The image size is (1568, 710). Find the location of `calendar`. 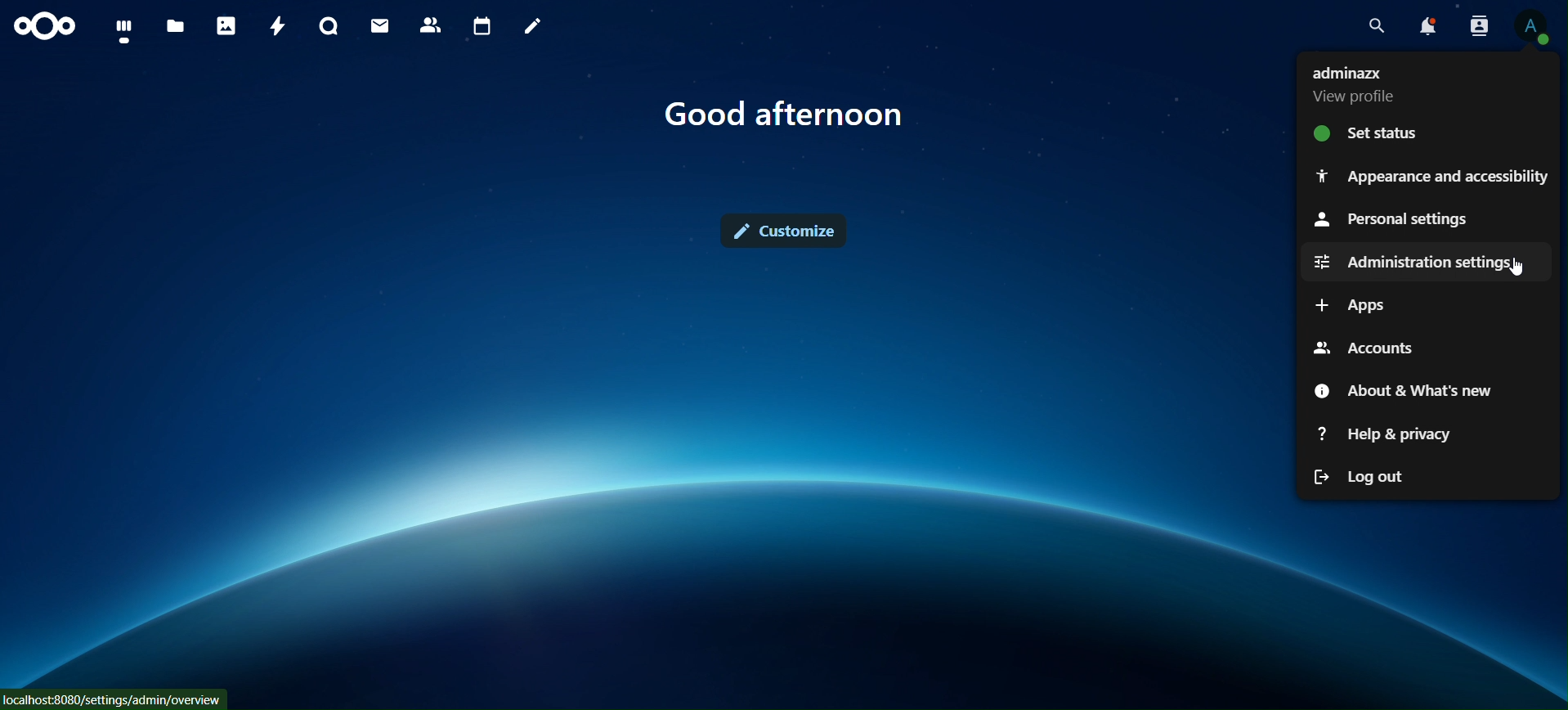

calendar is located at coordinates (482, 24).